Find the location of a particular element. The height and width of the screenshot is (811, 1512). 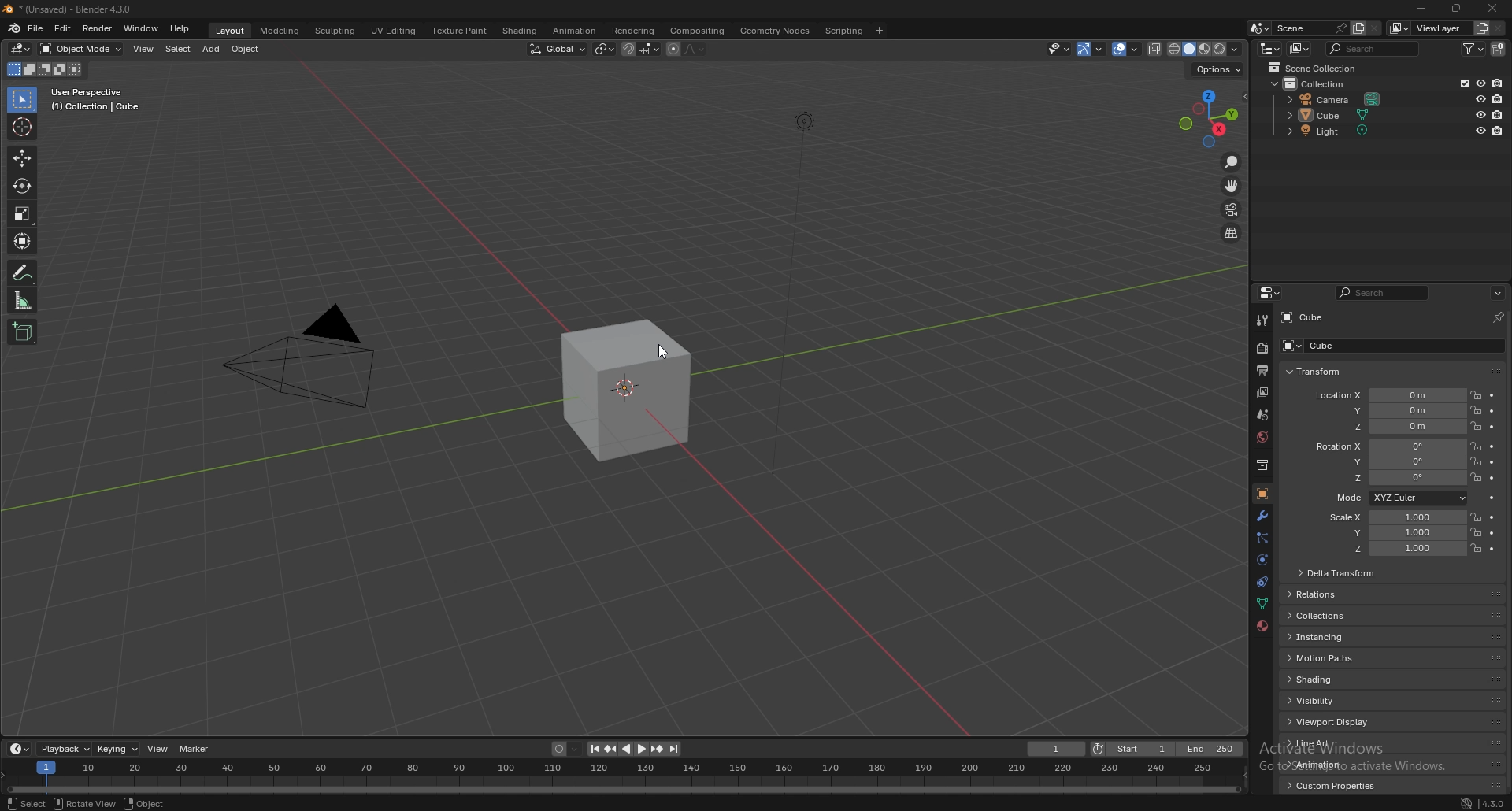

texture paint is located at coordinates (459, 31).